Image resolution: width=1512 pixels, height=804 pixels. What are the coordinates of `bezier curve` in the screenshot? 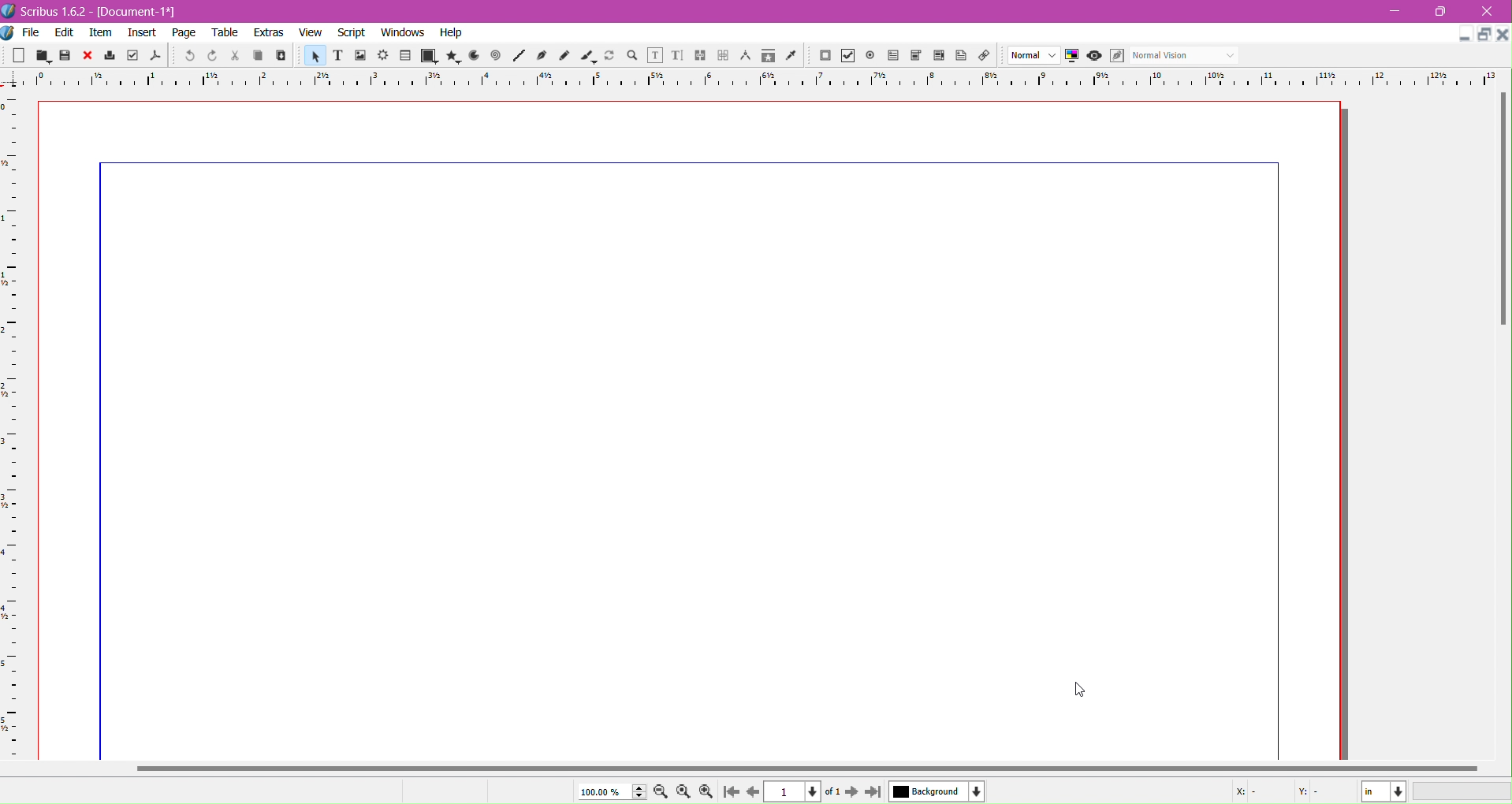 It's located at (543, 56).